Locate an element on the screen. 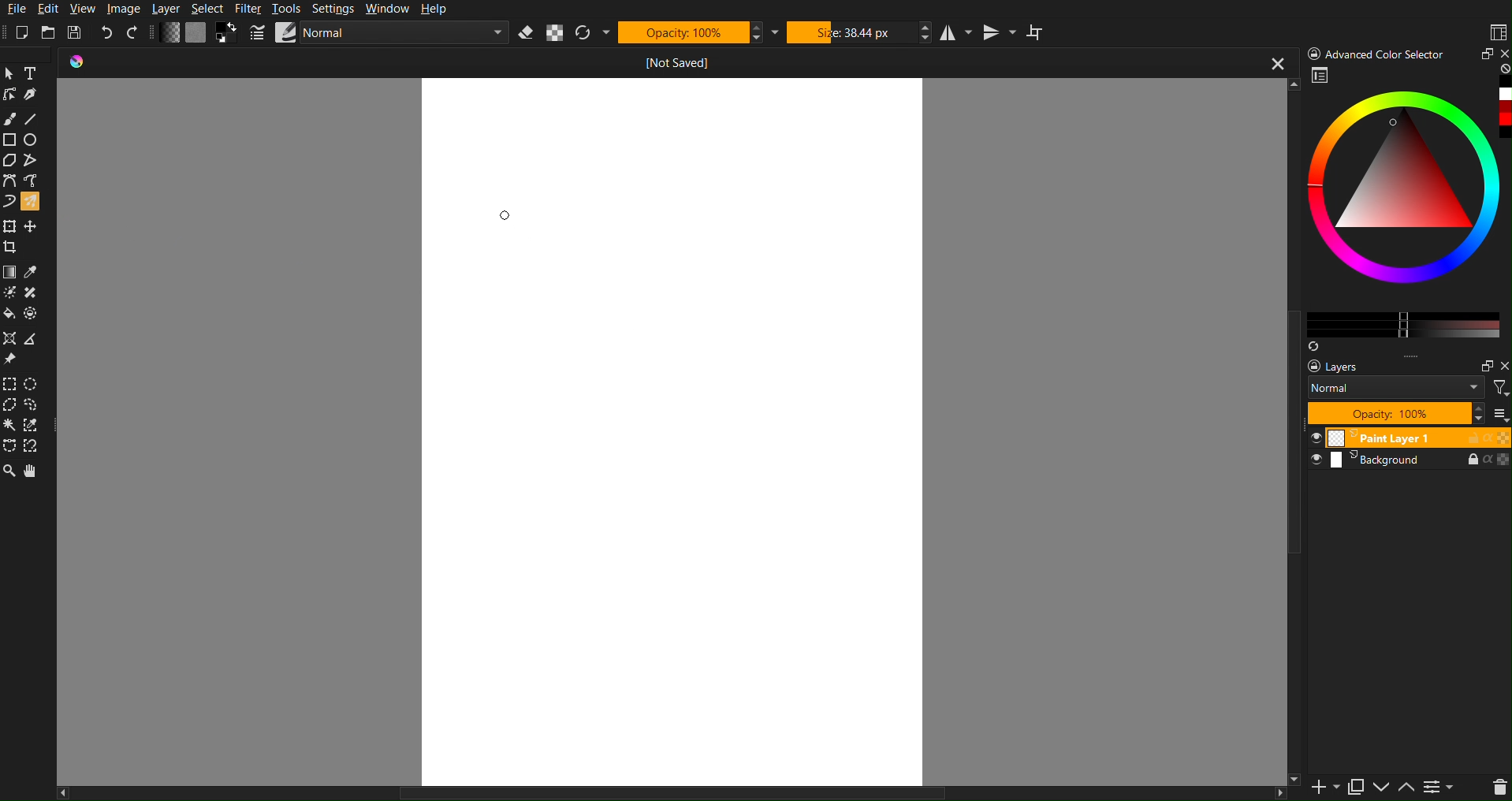  Polyline Tool is located at coordinates (34, 161).